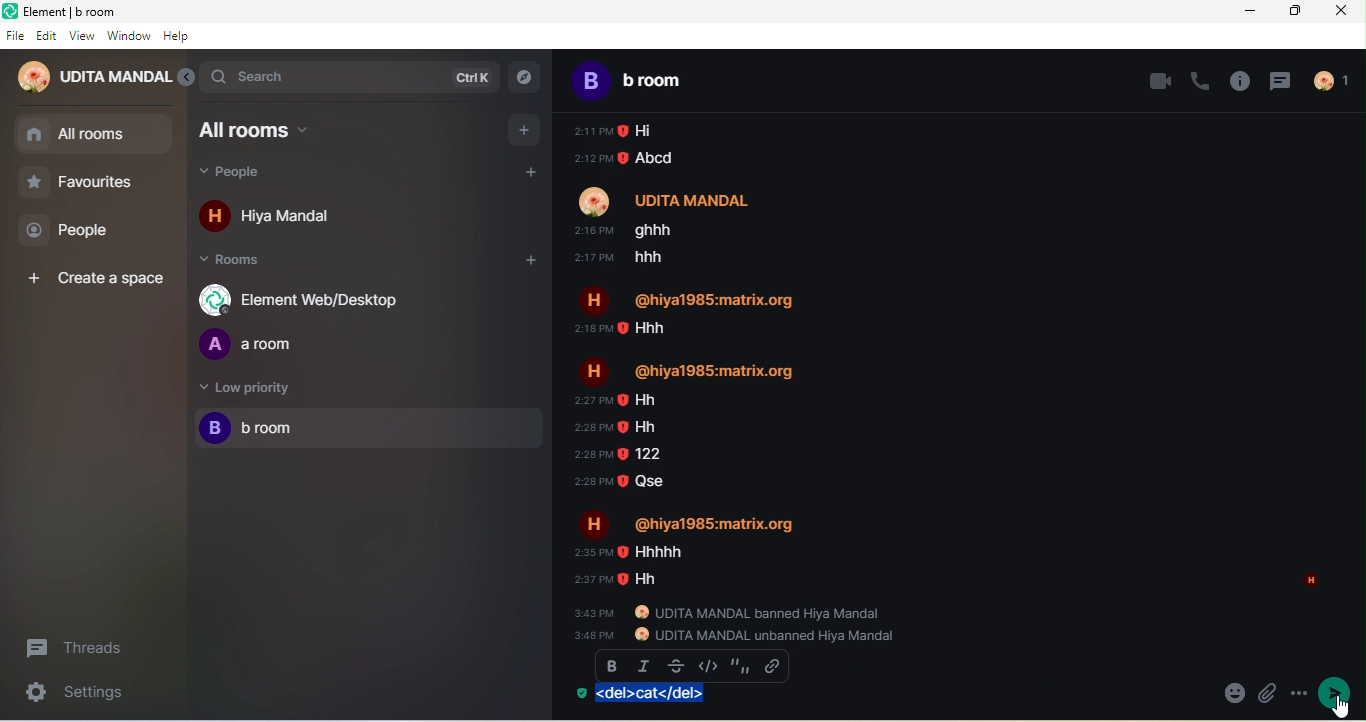 The height and width of the screenshot is (722, 1366). I want to click on emoji, so click(1267, 695).